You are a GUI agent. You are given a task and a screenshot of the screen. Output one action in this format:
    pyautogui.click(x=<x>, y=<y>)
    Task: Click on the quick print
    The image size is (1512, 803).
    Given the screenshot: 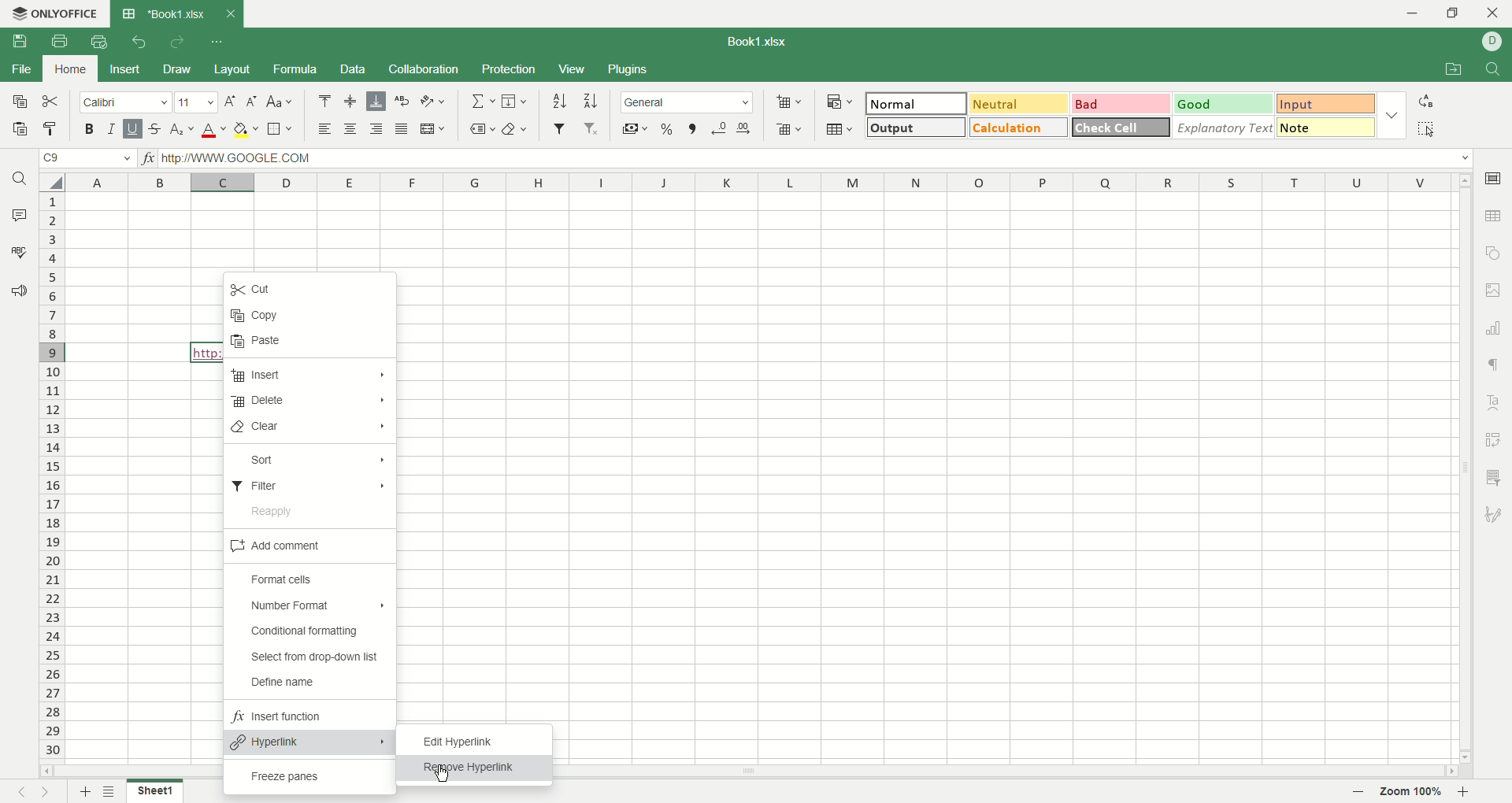 What is the action you would take?
    pyautogui.click(x=102, y=40)
    